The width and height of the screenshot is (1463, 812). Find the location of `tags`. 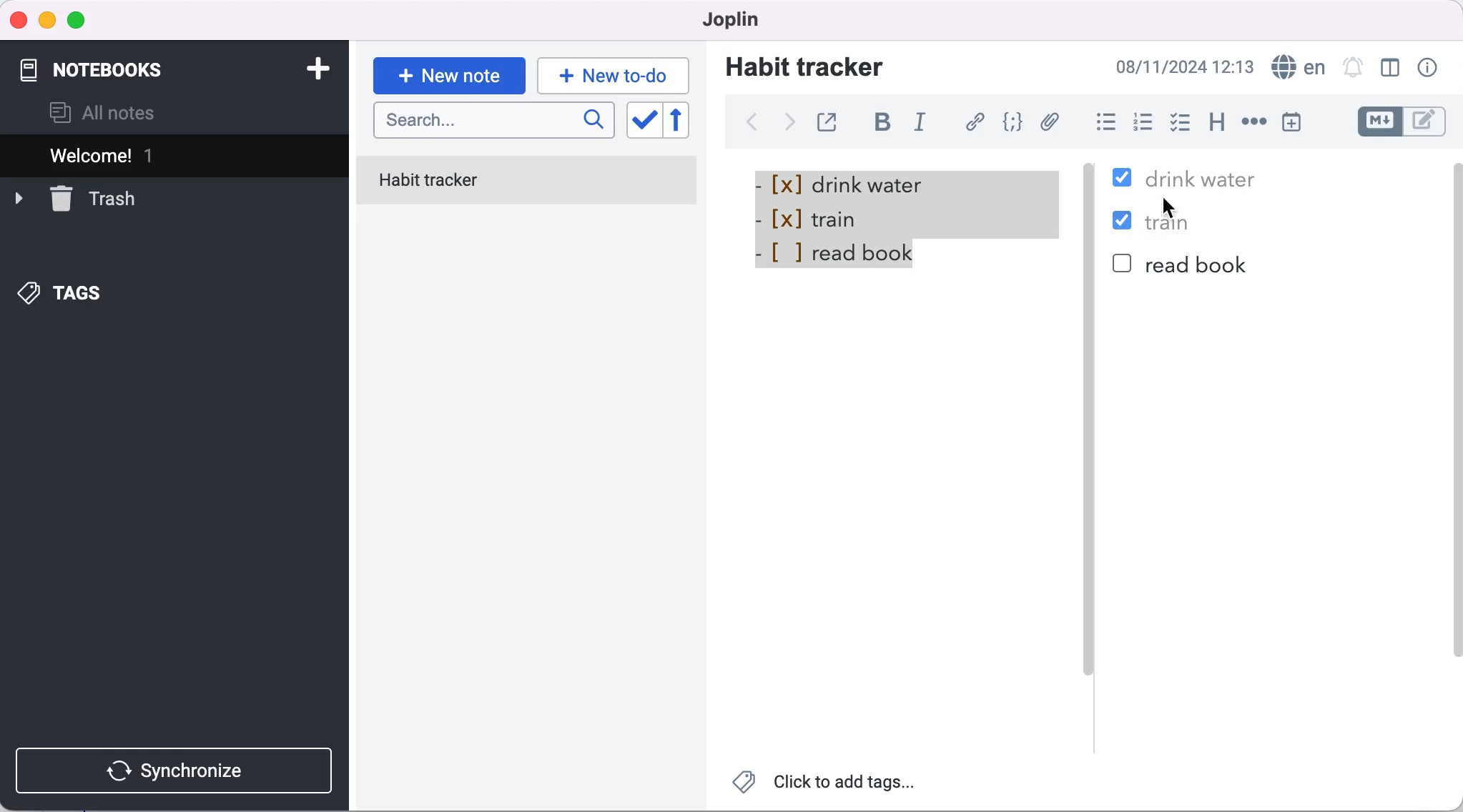

tags is located at coordinates (62, 294).